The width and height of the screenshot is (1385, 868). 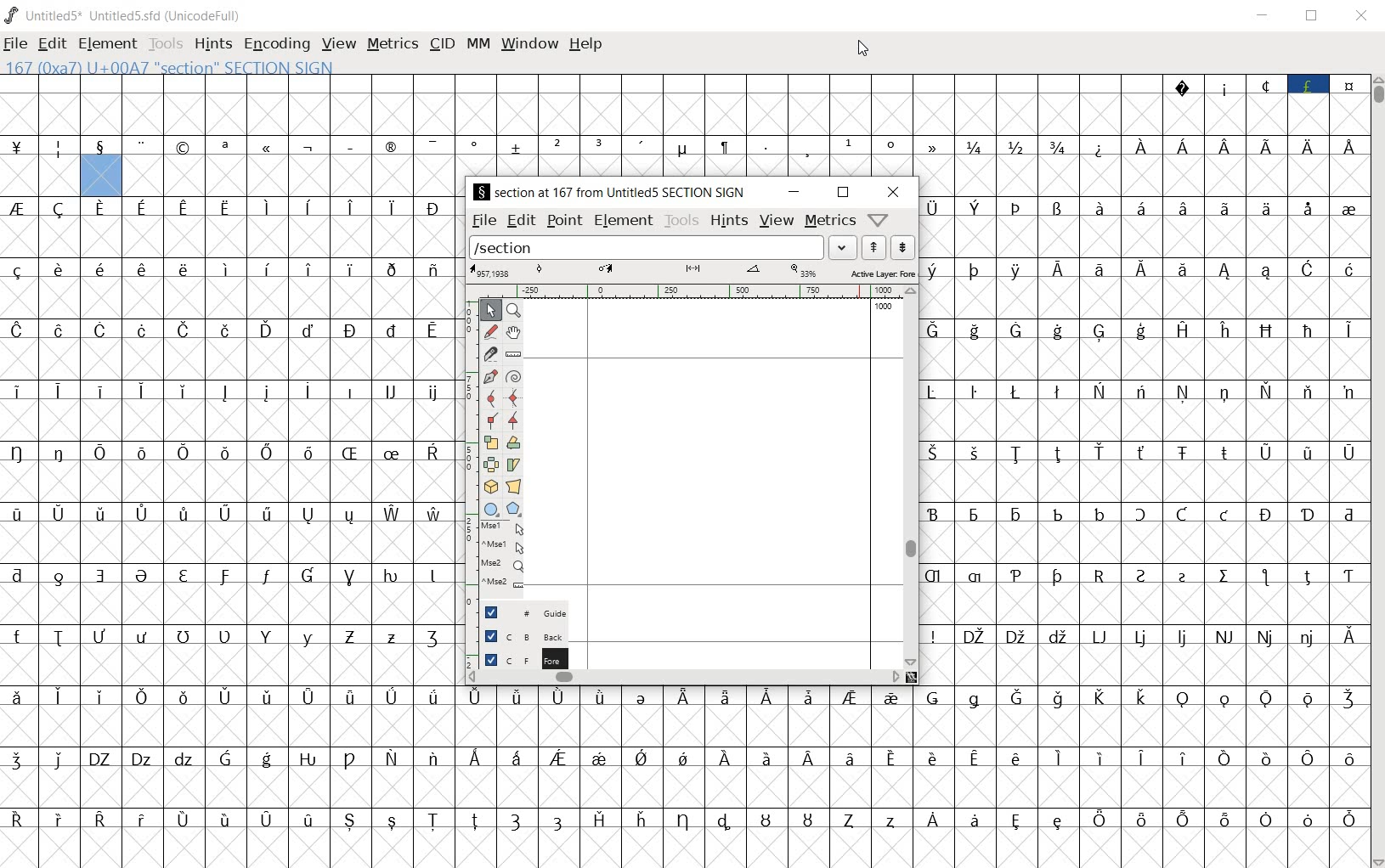 I want to click on special letters, so click(x=1143, y=635).